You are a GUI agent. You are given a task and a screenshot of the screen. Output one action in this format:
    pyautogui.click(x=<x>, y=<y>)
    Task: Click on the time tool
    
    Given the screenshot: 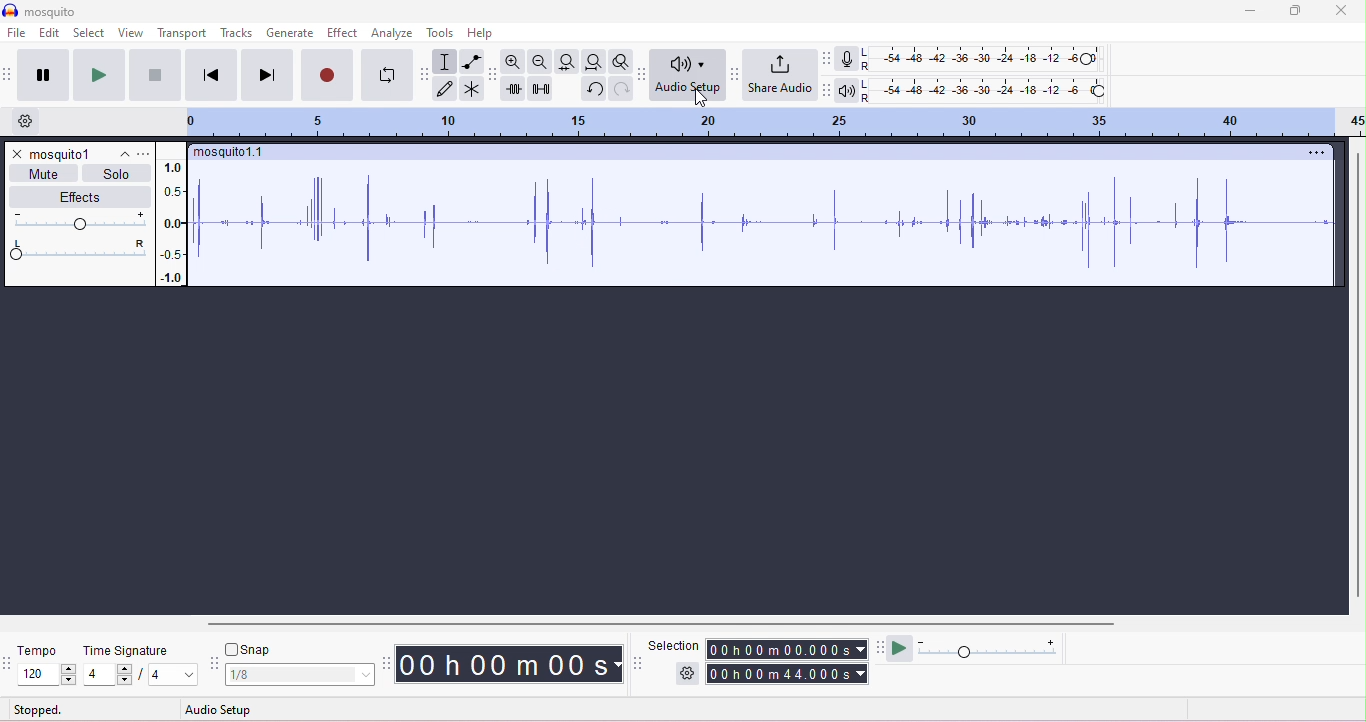 What is the action you would take?
    pyautogui.click(x=388, y=663)
    